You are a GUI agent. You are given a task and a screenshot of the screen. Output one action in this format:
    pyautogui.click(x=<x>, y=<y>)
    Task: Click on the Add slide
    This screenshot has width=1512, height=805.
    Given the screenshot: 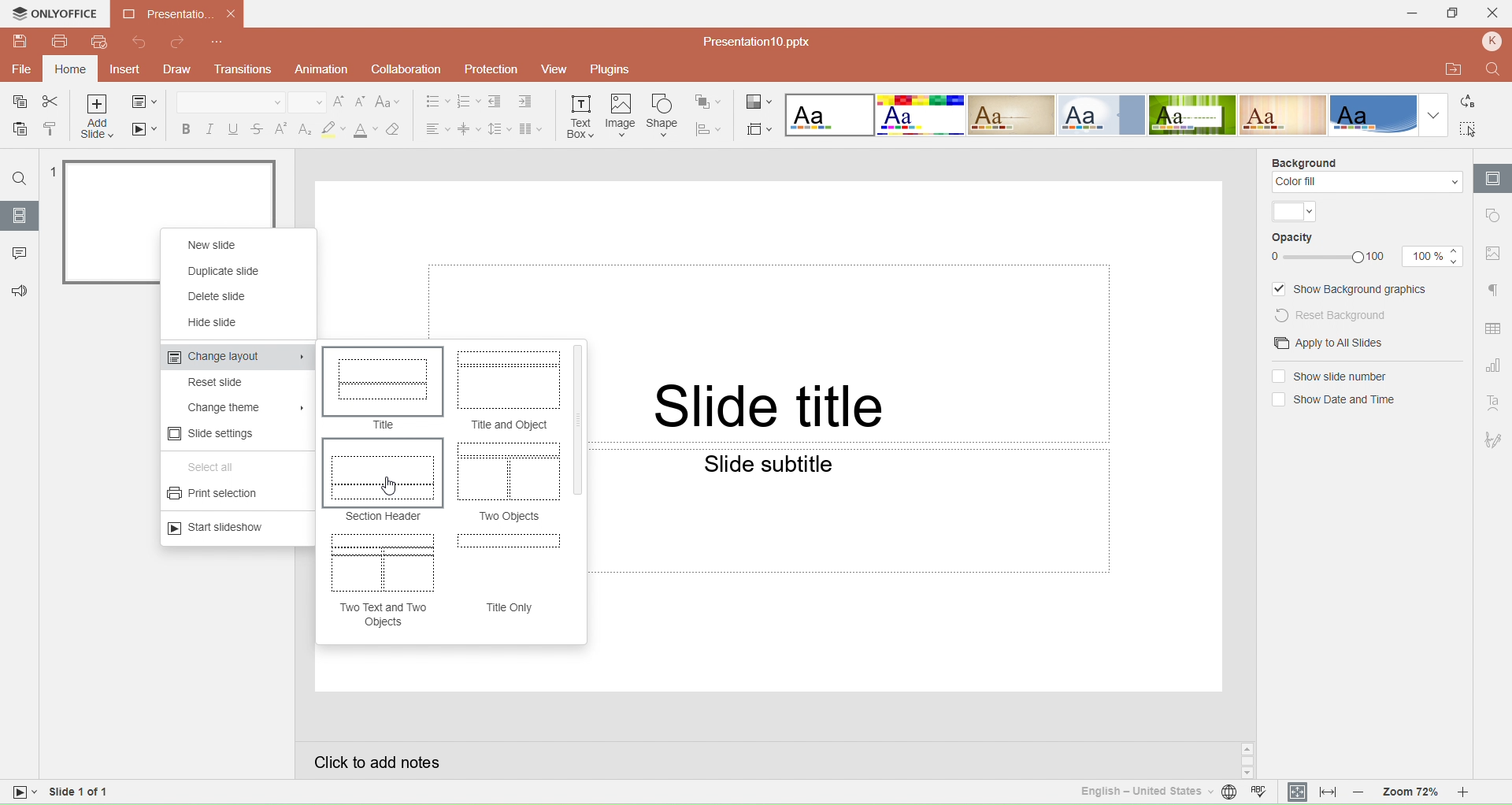 What is the action you would take?
    pyautogui.click(x=98, y=118)
    